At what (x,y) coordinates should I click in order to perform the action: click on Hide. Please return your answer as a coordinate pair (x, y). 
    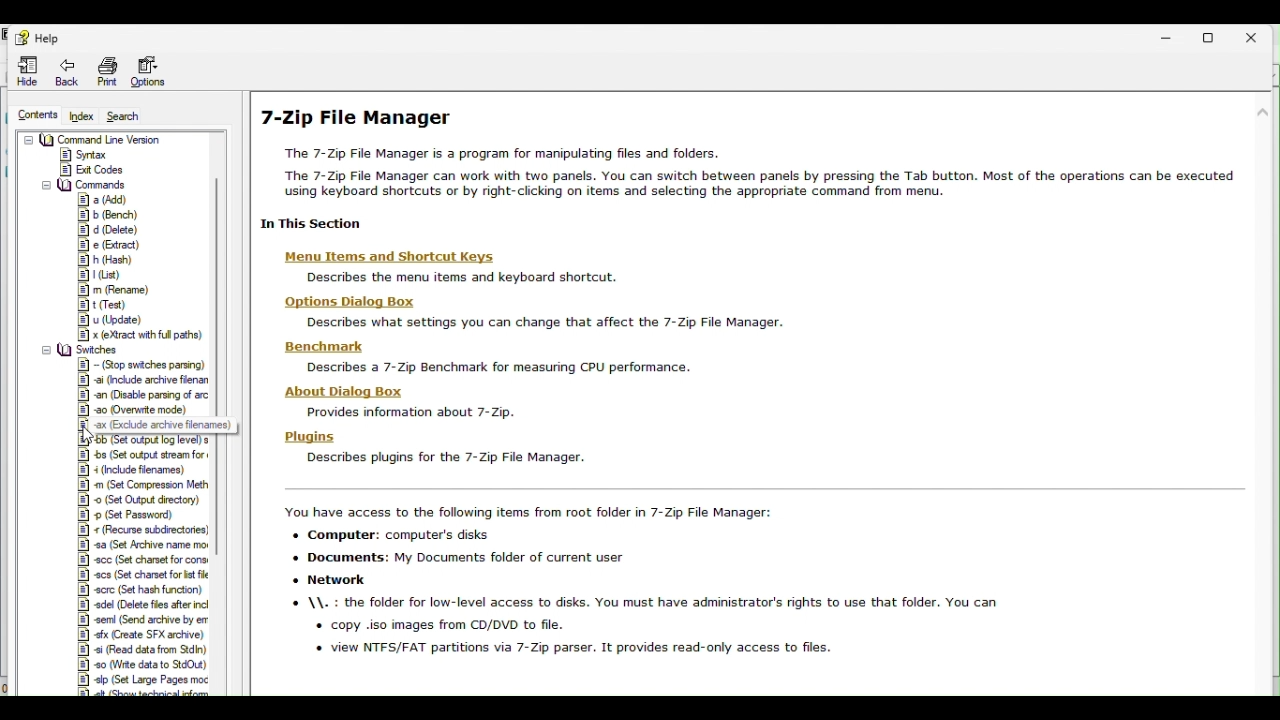
    Looking at the image, I should click on (19, 71).